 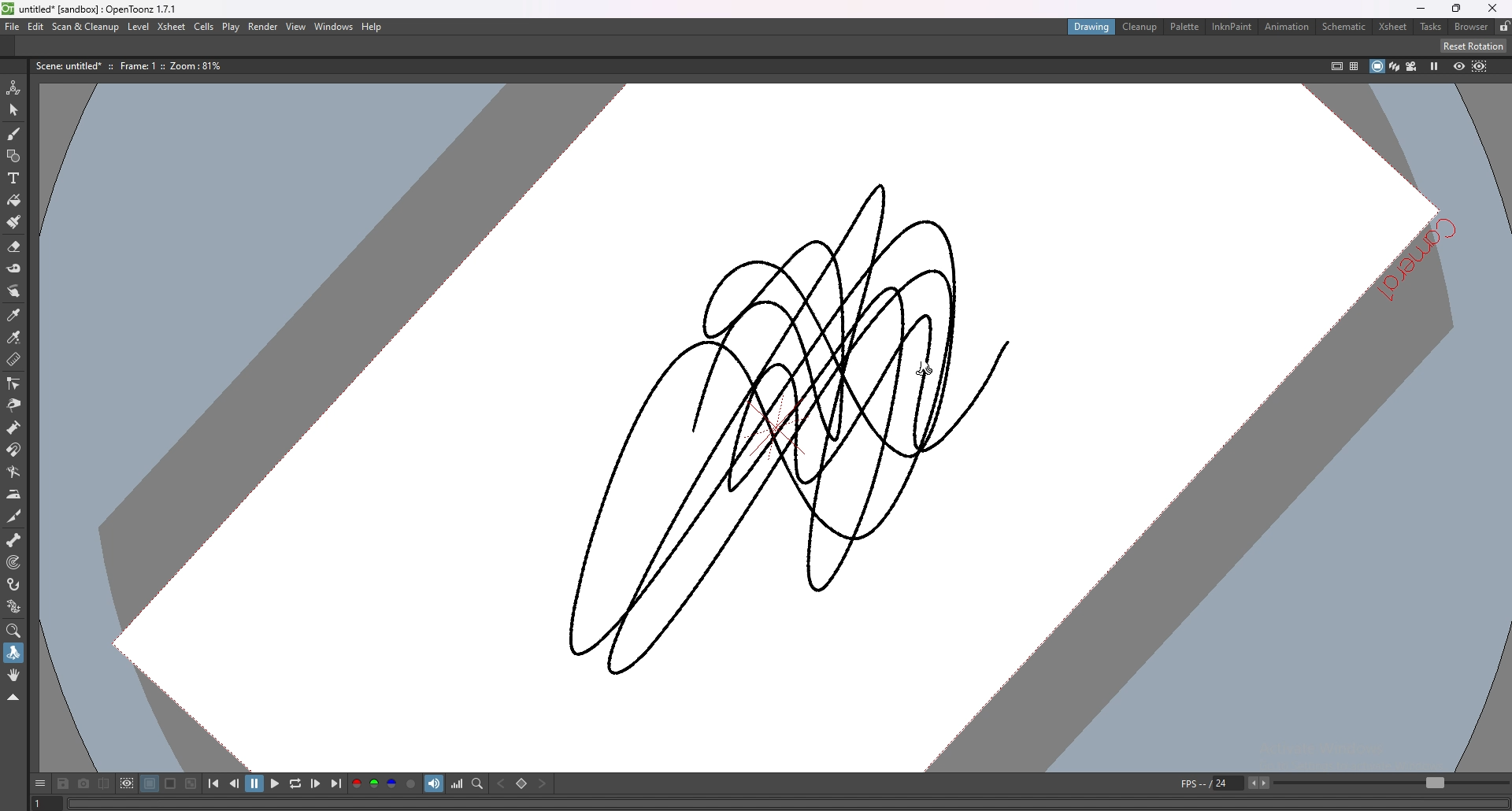 I want to click on loop, so click(x=295, y=784).